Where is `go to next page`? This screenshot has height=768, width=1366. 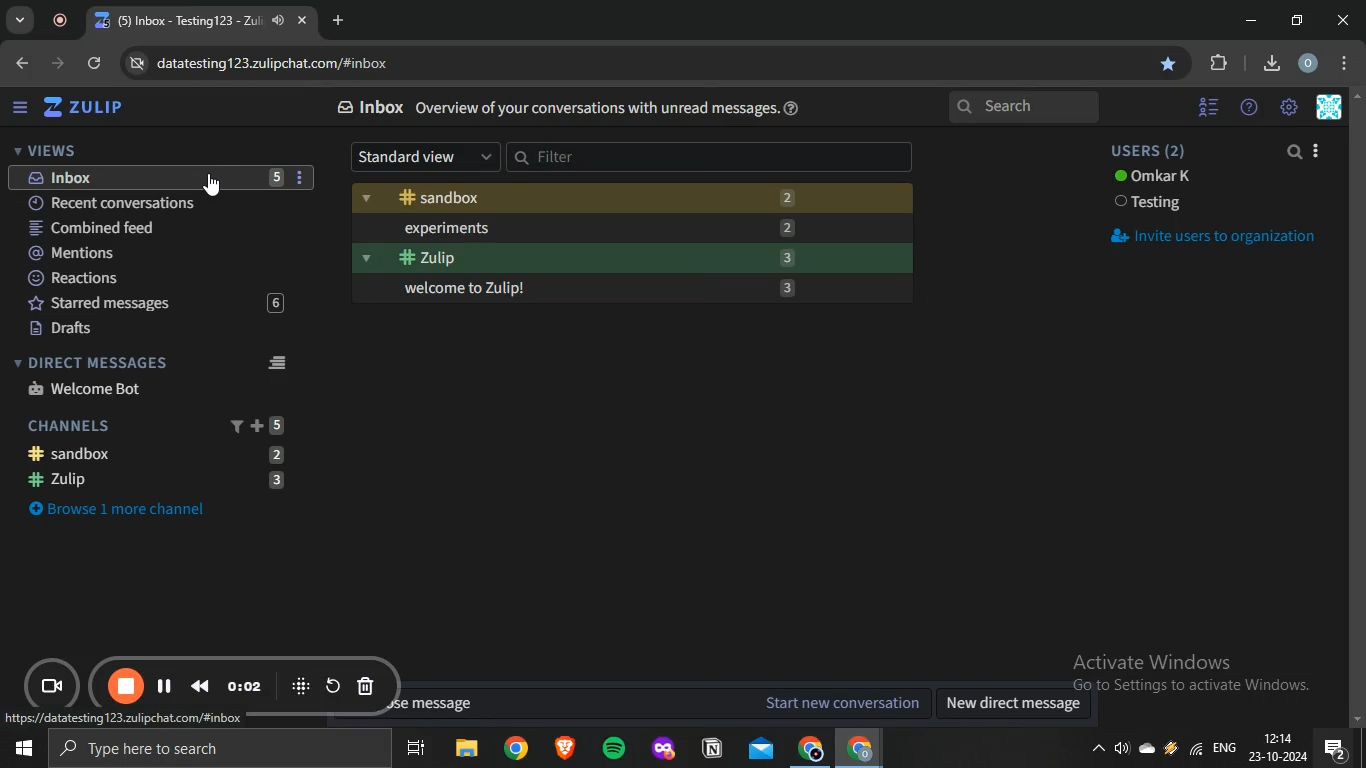
go to next page is located at coordinates (60, 63).